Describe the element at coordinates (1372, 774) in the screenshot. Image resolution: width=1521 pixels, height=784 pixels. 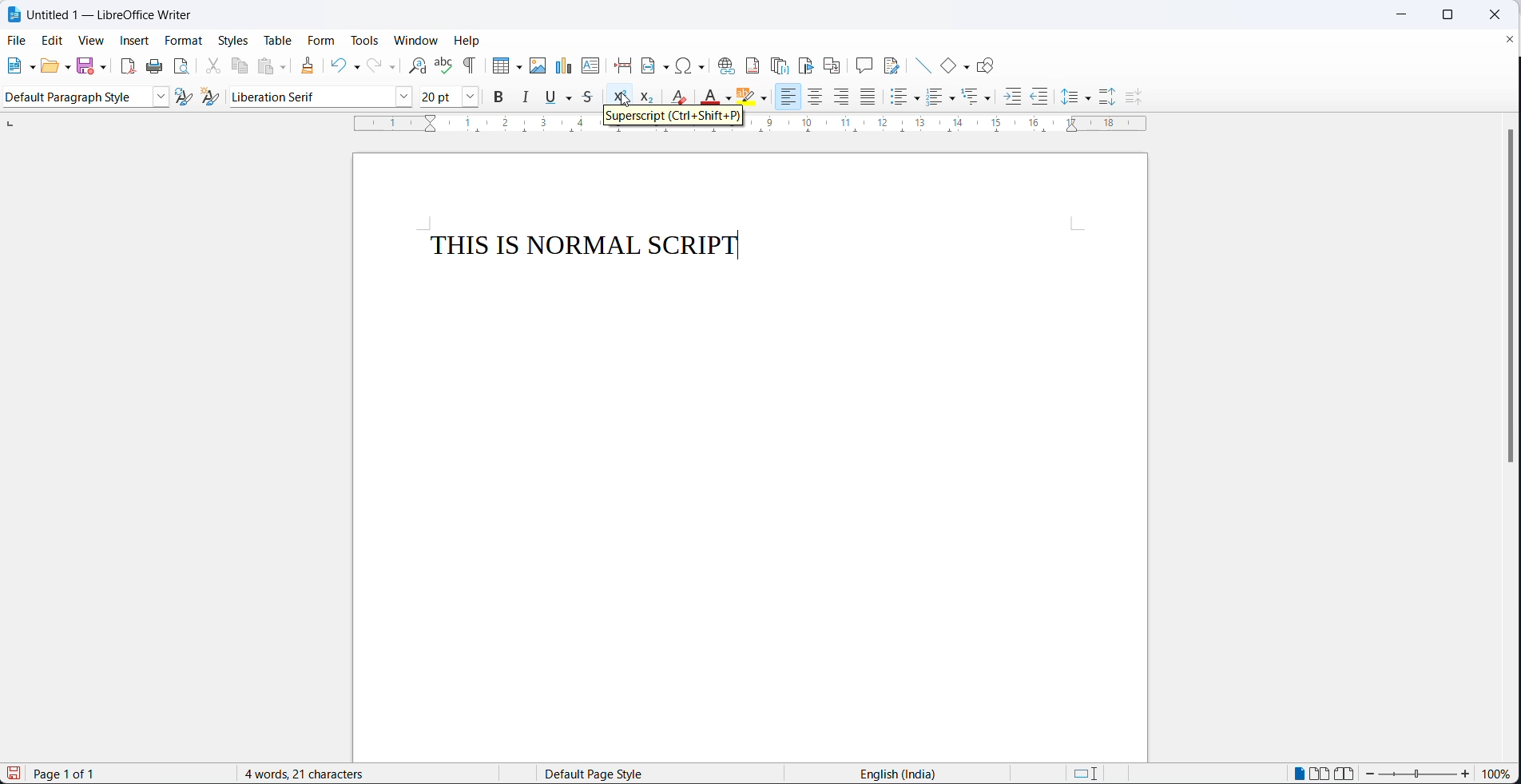
I see `zoom increase` at that location.